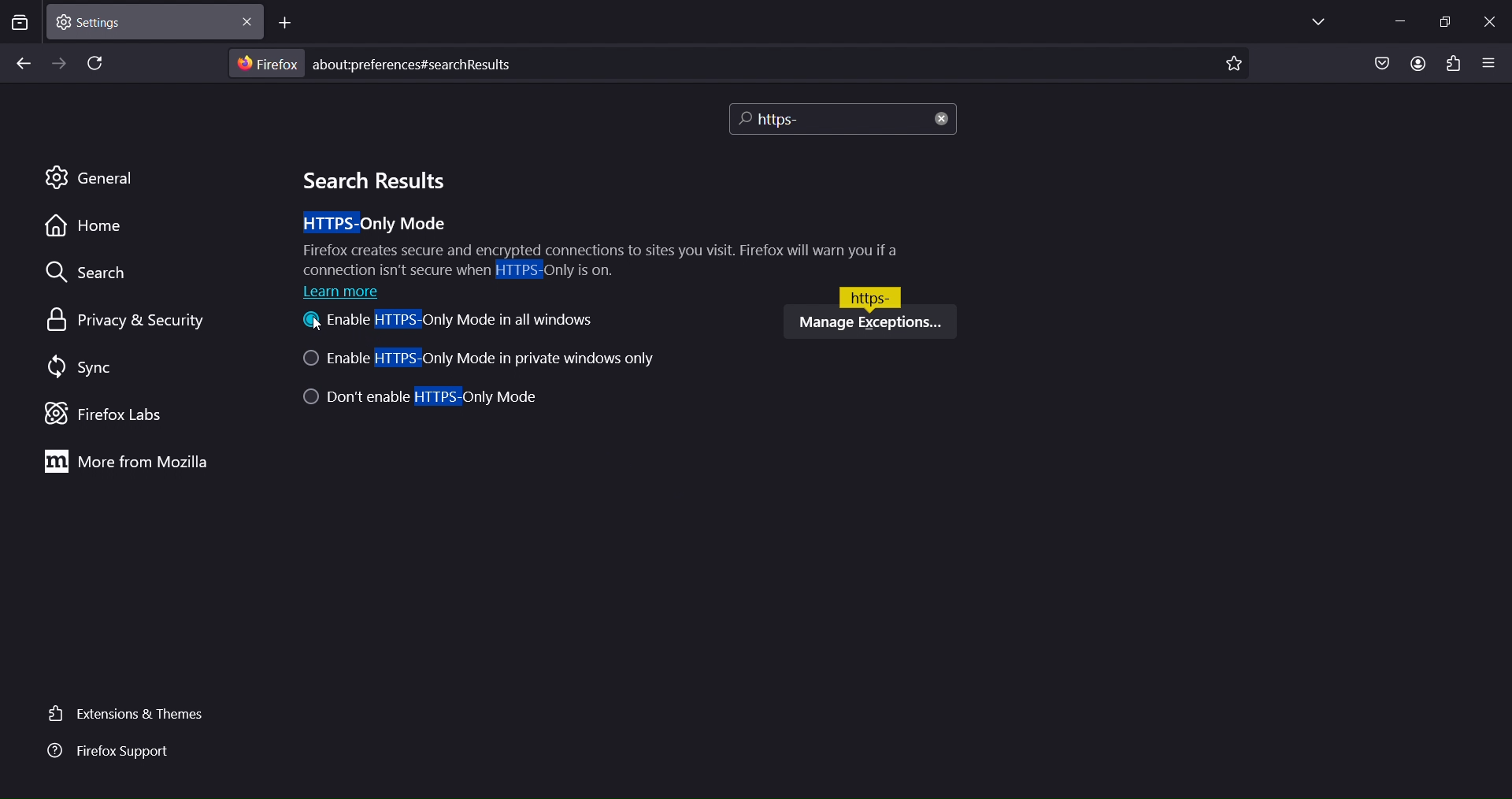 The image size is (1512, 799). Describe the element at coordinates (371, 180) in the screenshot. I see `search results` at that location.